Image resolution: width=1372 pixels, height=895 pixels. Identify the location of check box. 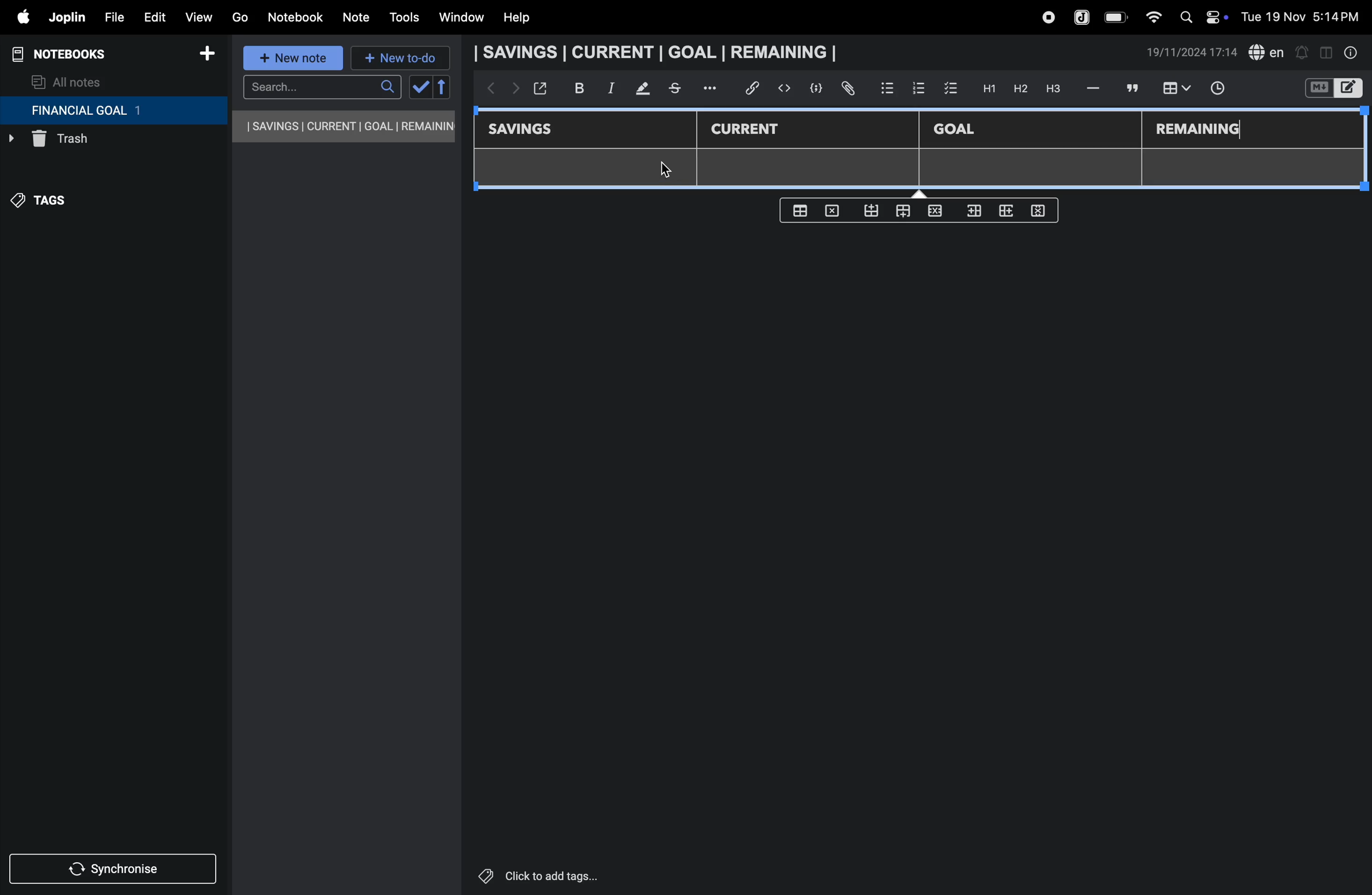
(951, 89).